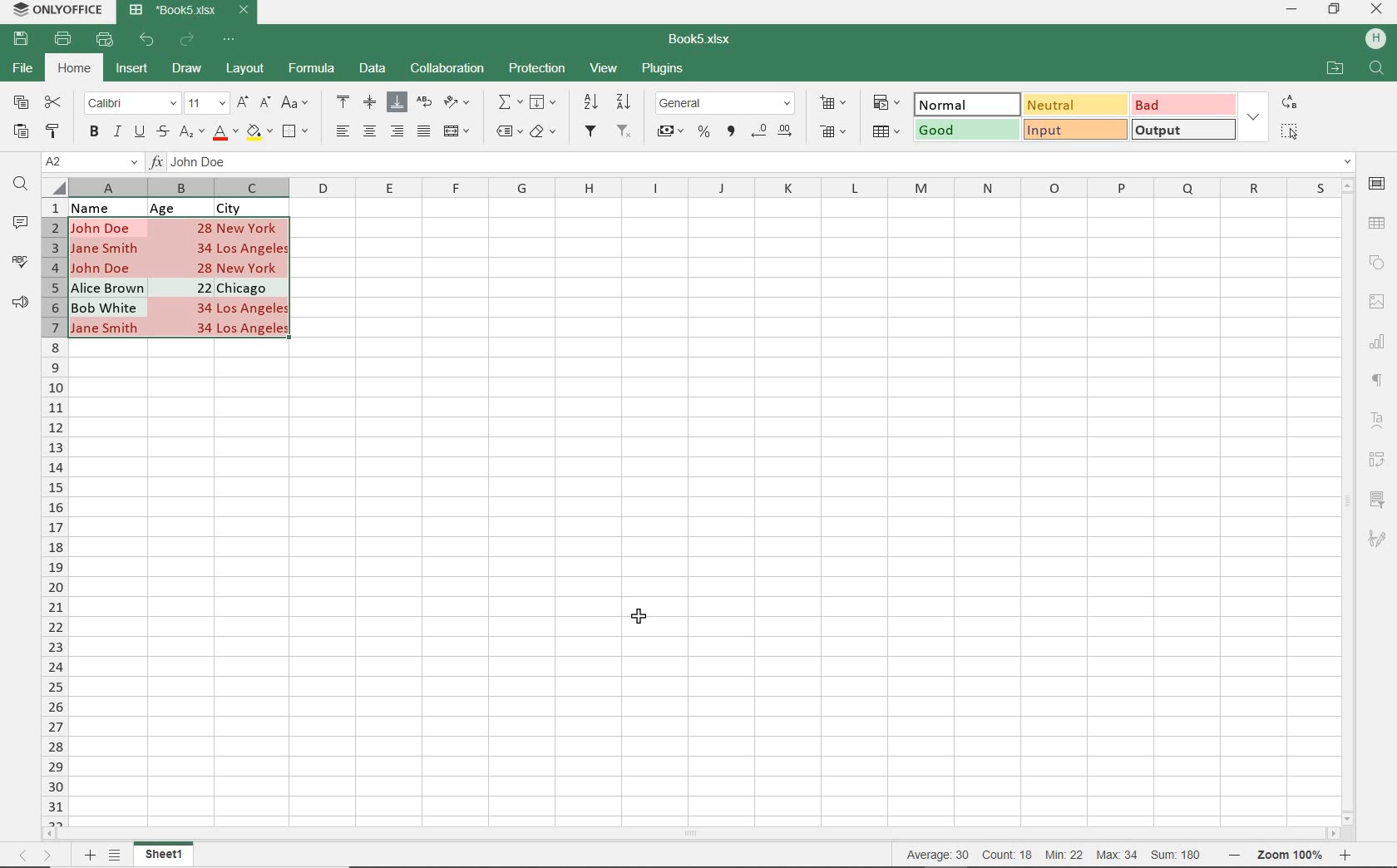  I want to click on MOVE SHEETS, so click(35, 856).